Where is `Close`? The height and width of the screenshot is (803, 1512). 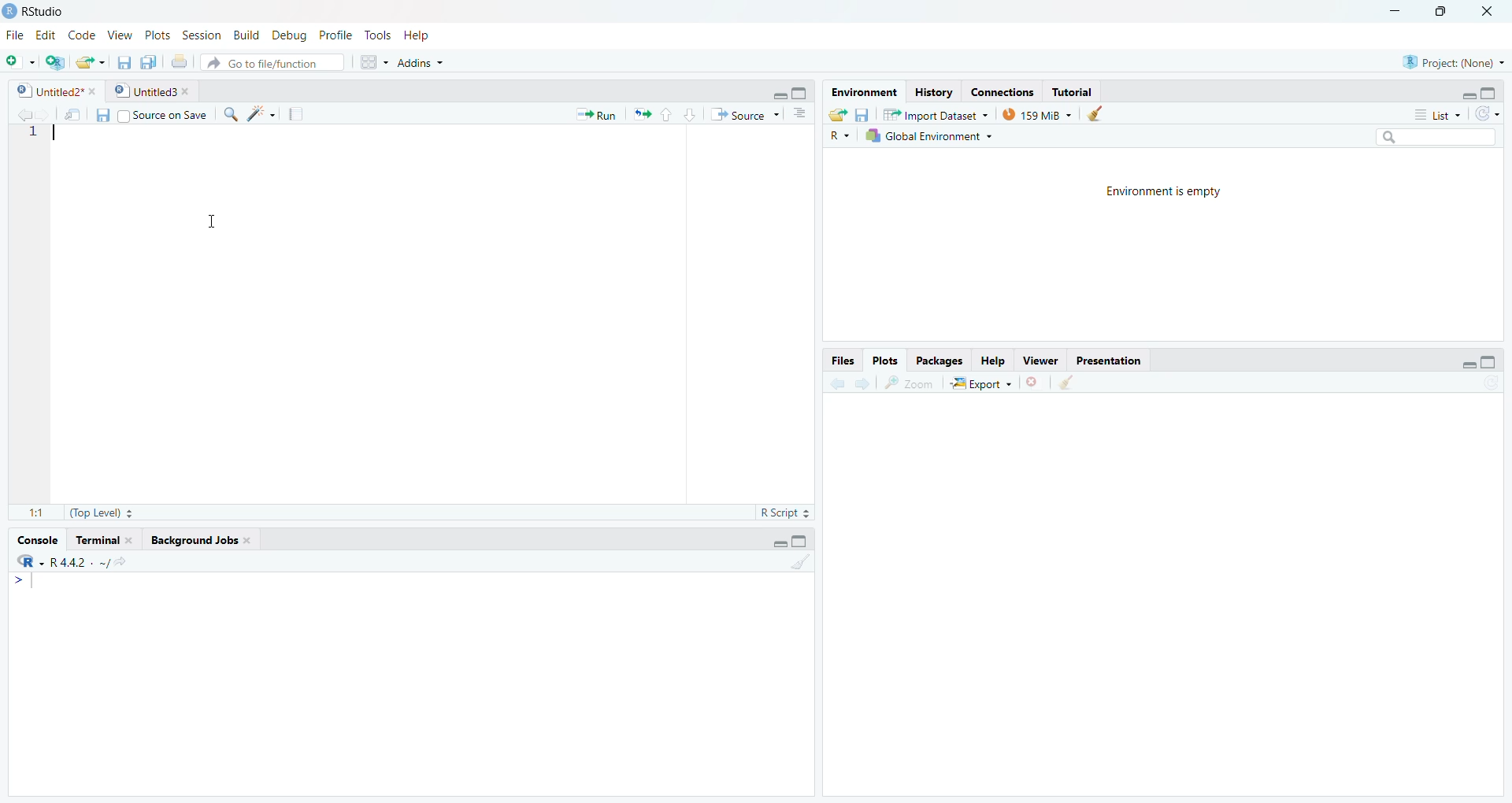
Close is located at coordinates (1488, 13).